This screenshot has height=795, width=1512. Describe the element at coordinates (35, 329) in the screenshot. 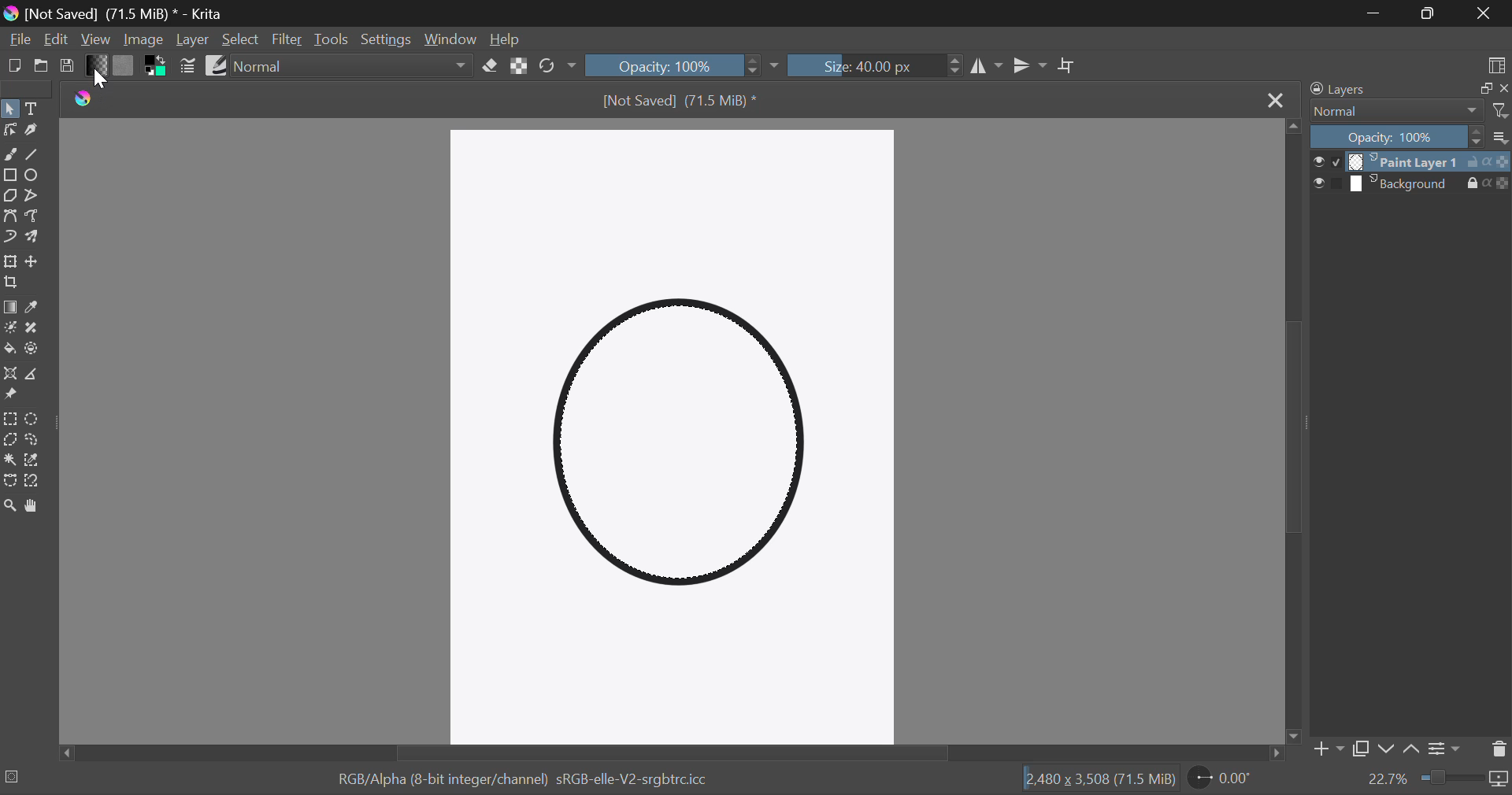

I see `Smart Patch Tool` at that location.